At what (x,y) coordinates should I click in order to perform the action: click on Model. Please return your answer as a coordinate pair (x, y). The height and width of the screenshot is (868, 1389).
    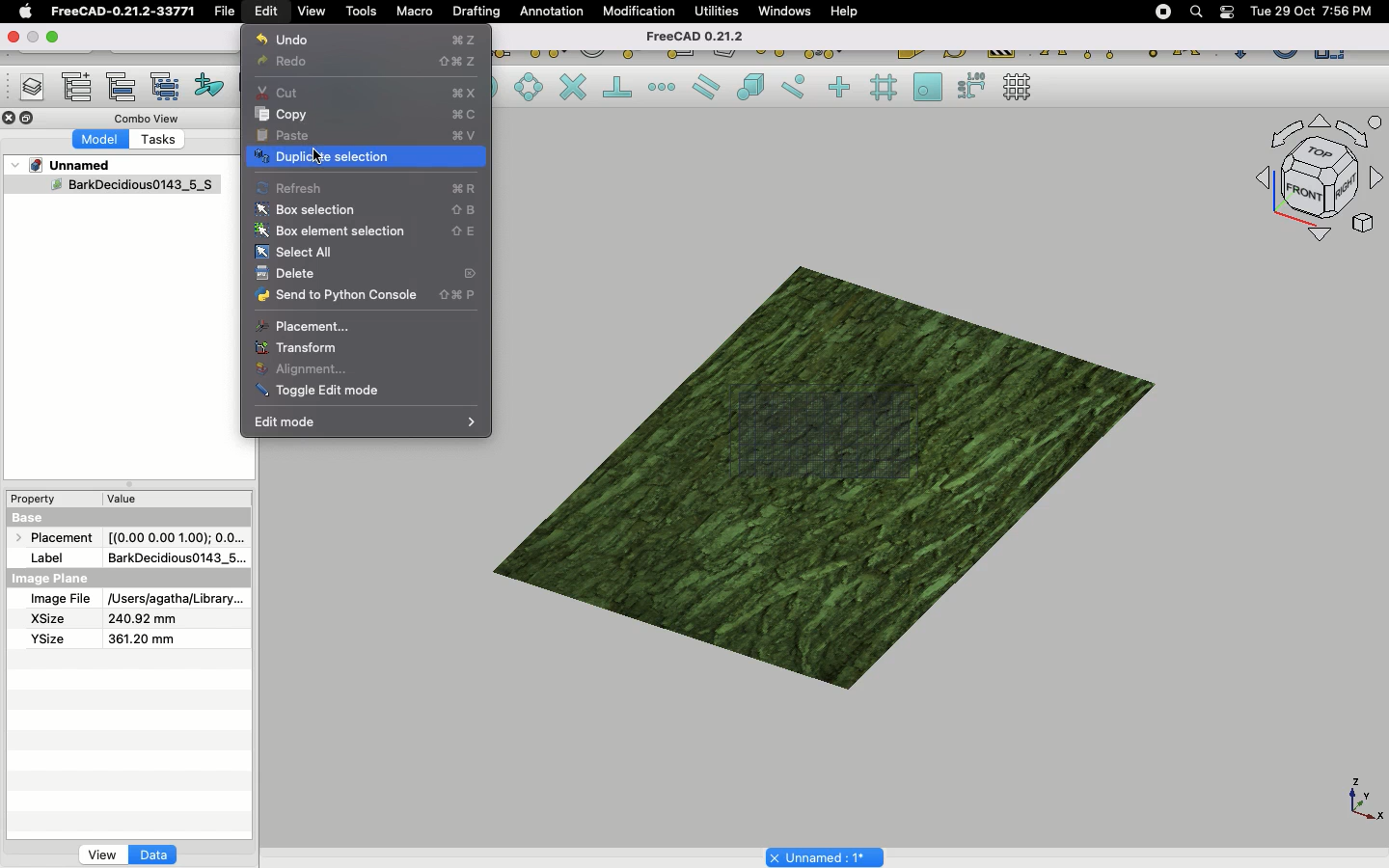
    Looking at the image, I should click on (103, 140).